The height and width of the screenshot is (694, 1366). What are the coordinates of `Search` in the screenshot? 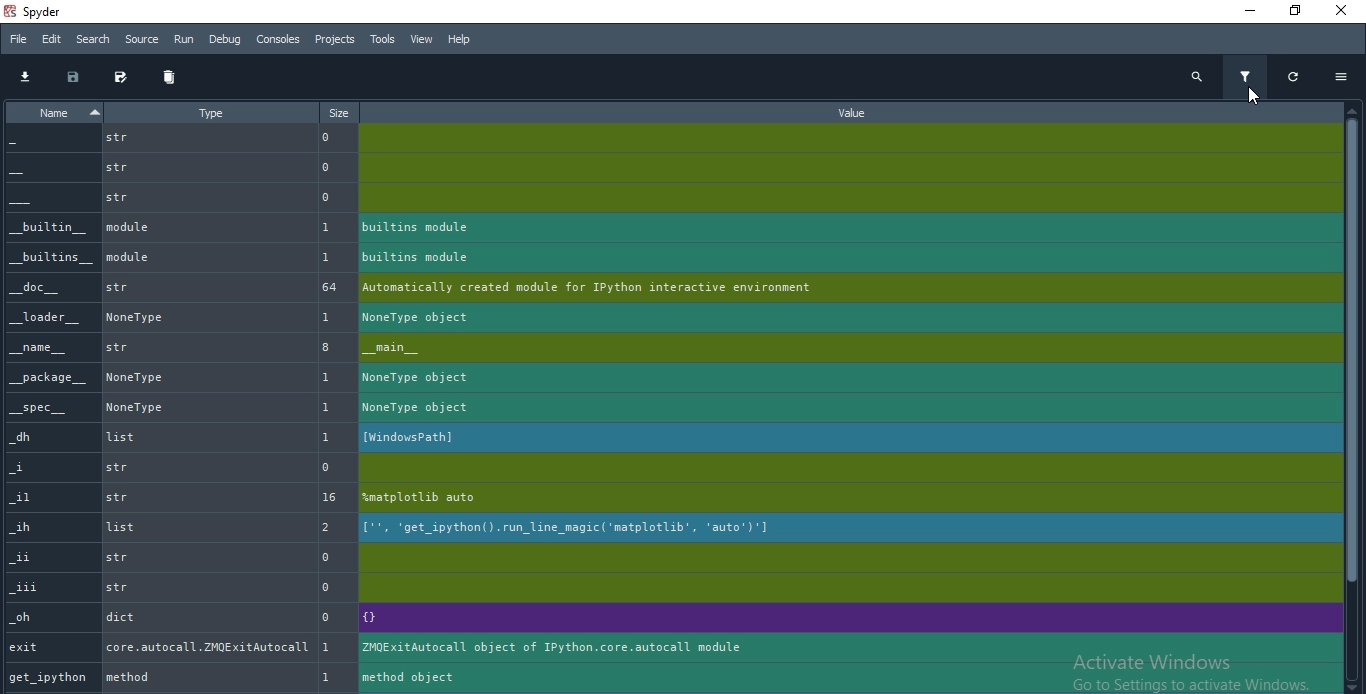 It's located at (95, 39).